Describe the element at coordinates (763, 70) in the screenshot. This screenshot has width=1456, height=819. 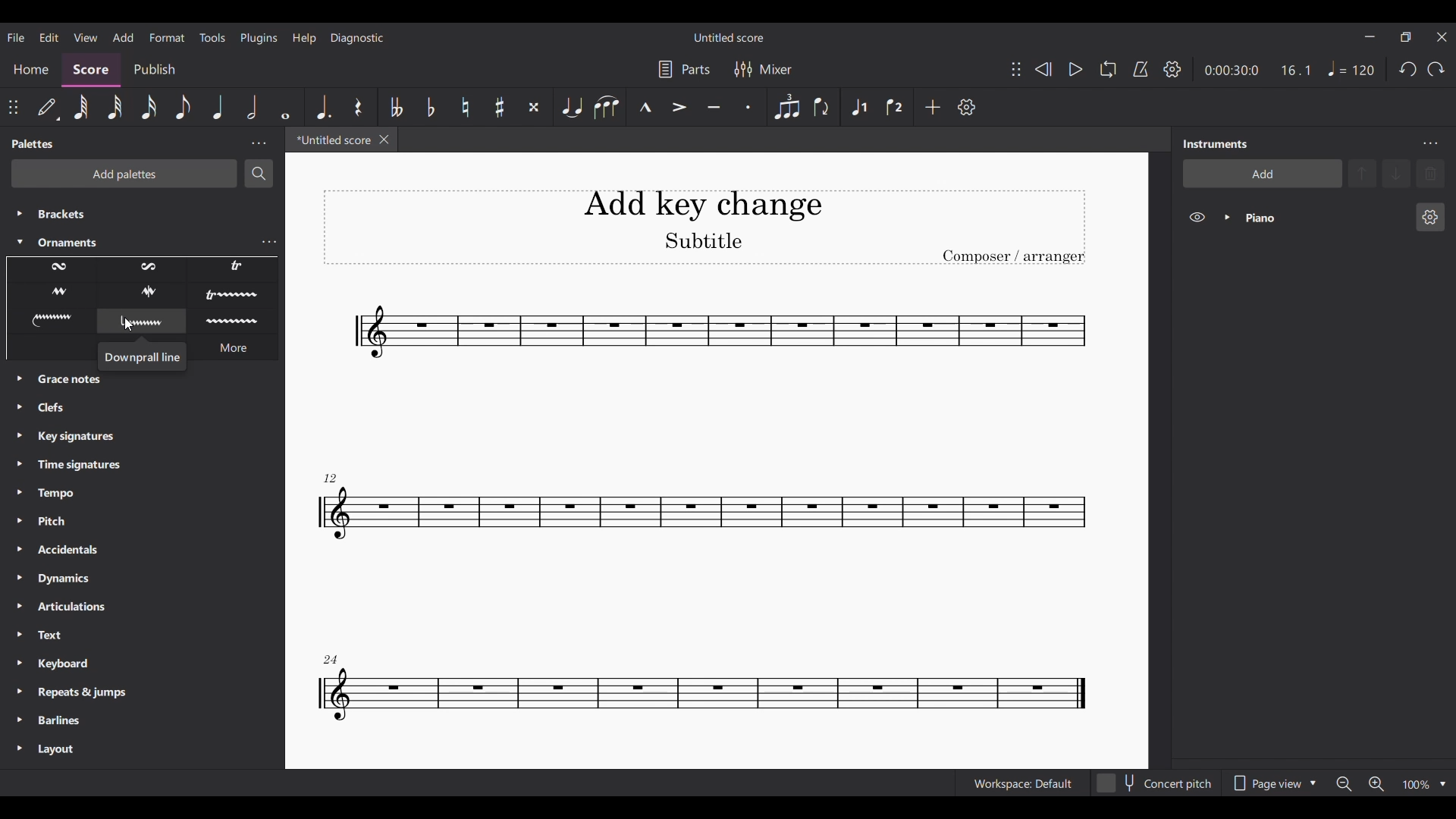
I see `Mixer settings` at that location.